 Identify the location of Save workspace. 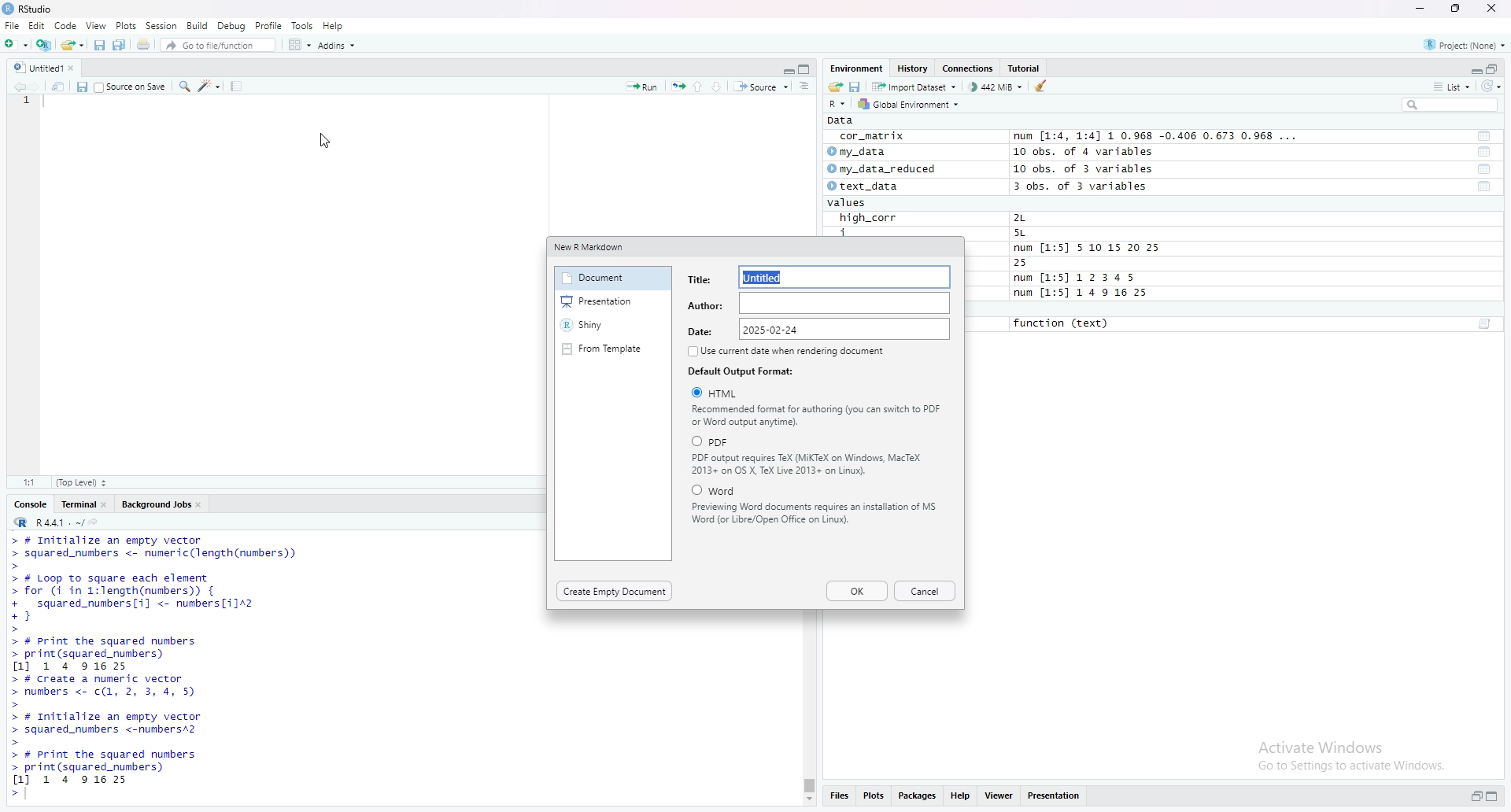
(855, 87).